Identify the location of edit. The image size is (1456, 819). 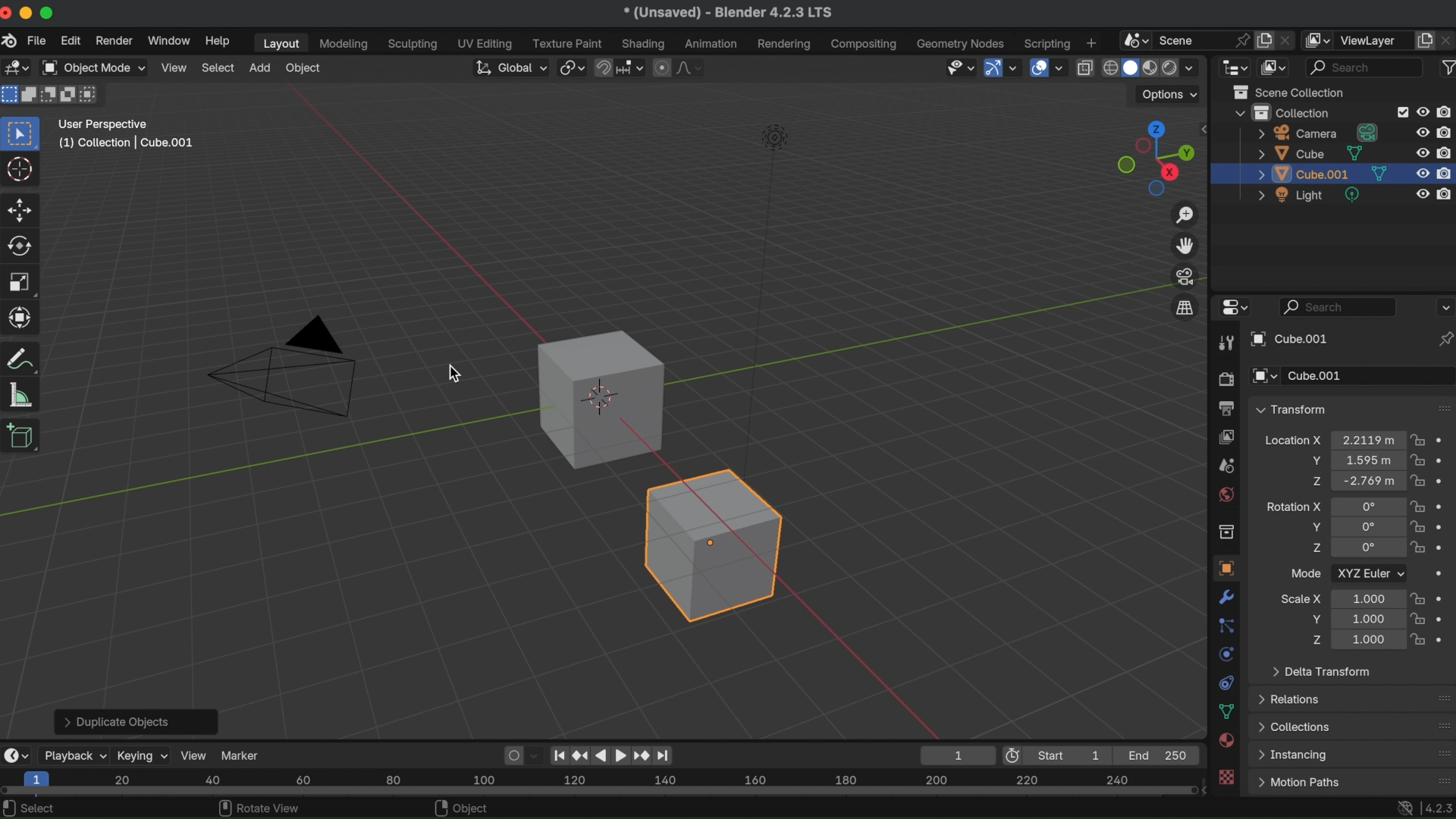
(71, 42).